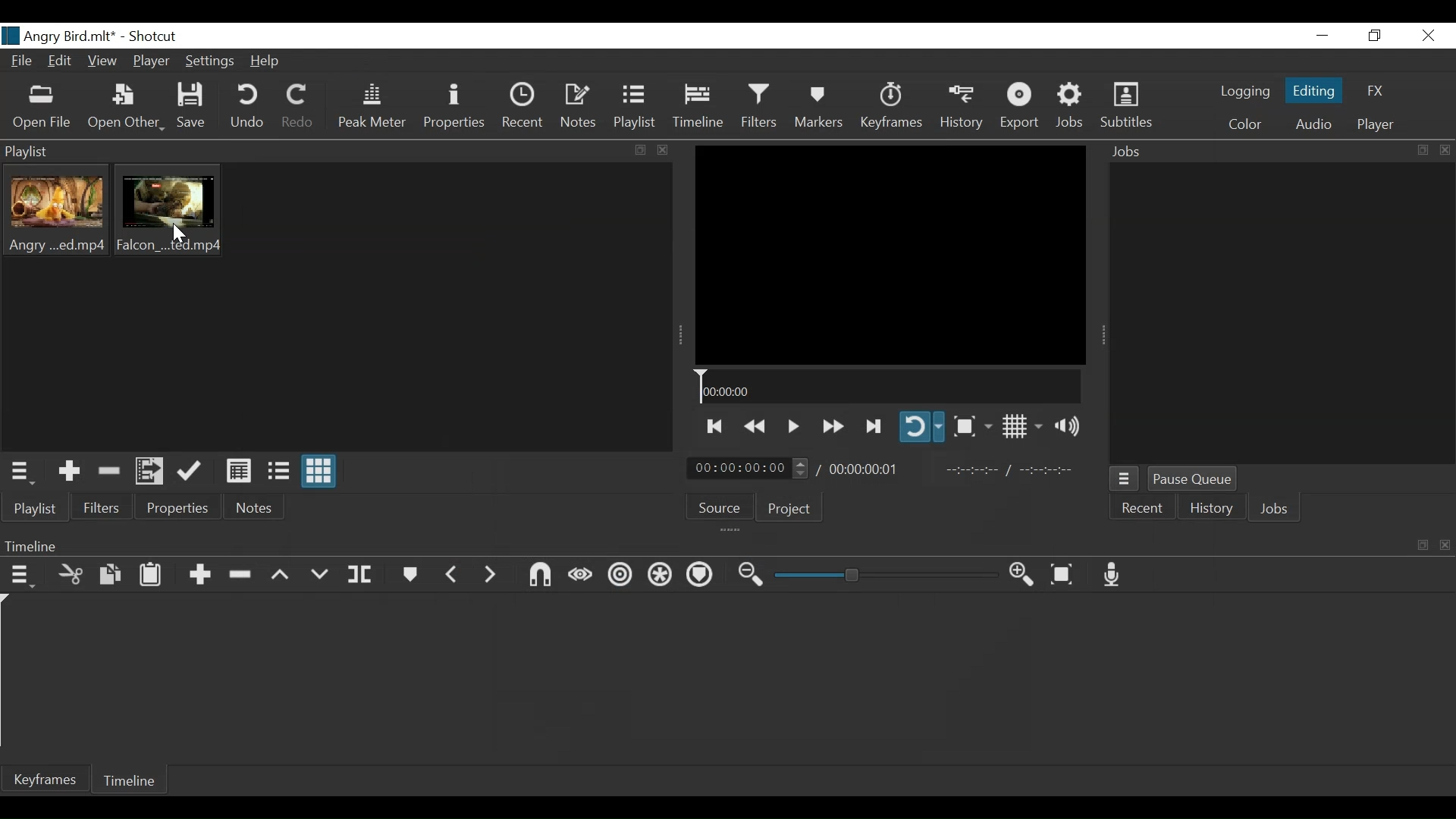 The image size is (1456, 819). What do you see at coordinates (104, 36) in the screenshot?
I see `title` at bounding box center [104, 36].